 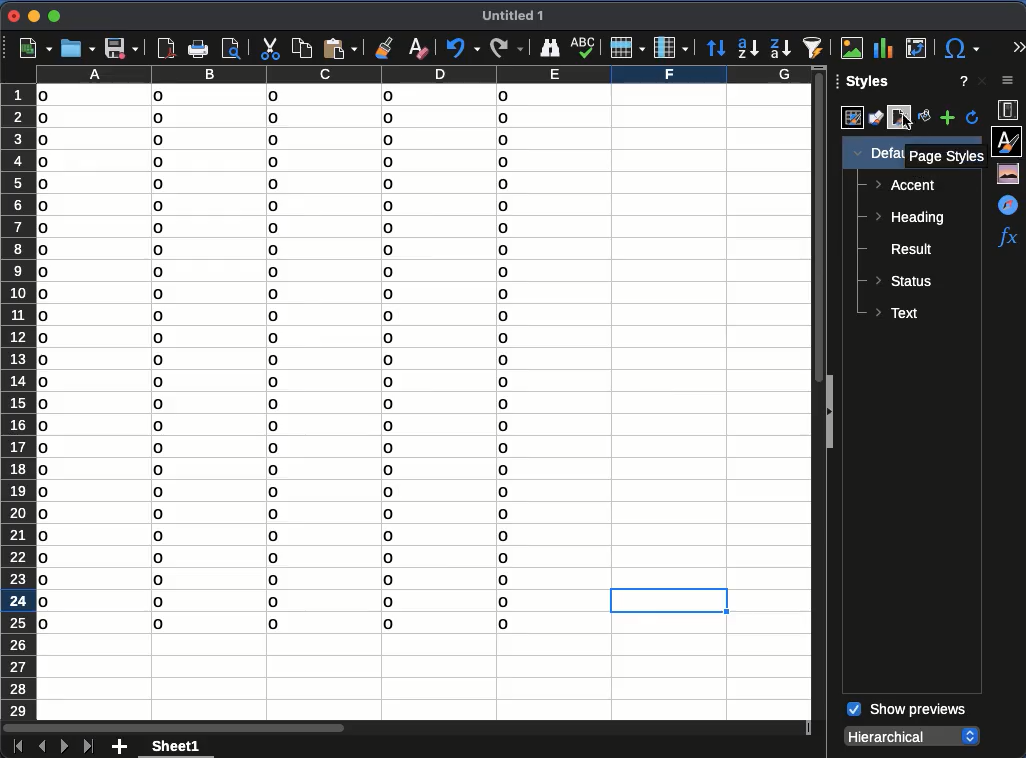 What do you see at coordinates (874, 153) in the screenshot?
I see `default ` at bounding box center [874, 153].